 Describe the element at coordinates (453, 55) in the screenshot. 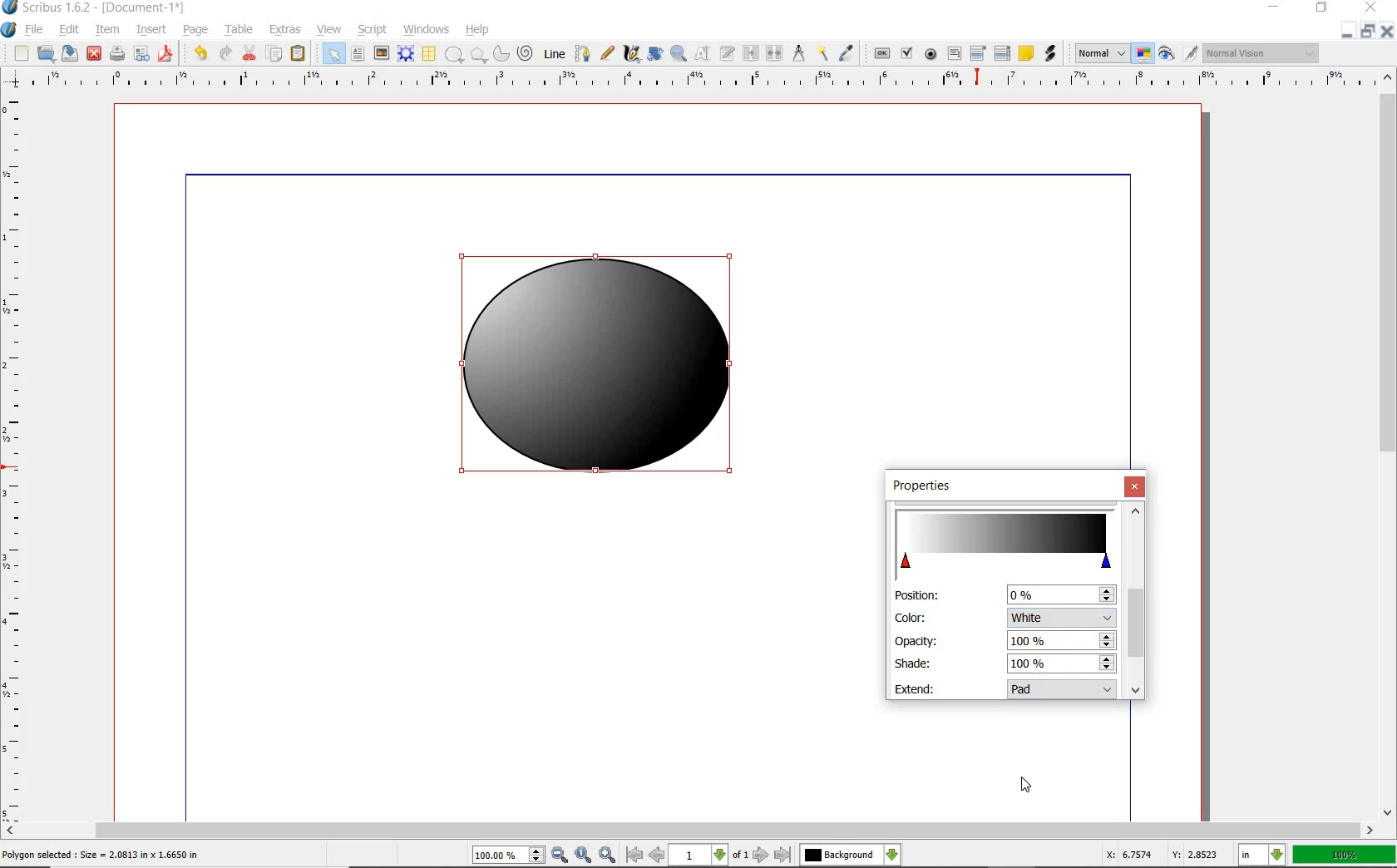

I see `SHAPE` at that location.